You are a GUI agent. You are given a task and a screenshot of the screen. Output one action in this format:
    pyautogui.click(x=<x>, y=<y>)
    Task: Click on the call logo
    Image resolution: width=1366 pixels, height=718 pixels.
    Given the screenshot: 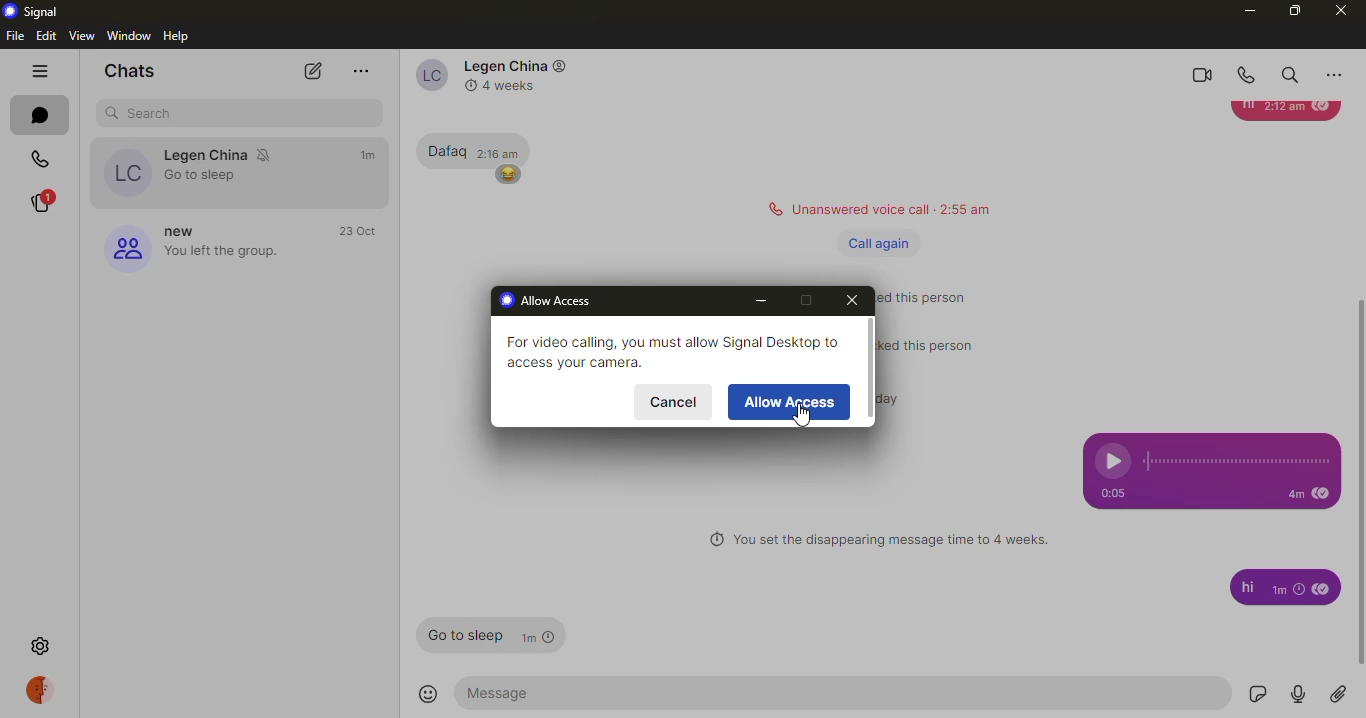 What is the action you would take?
    pyautogui.click(x=771, y=208)
    